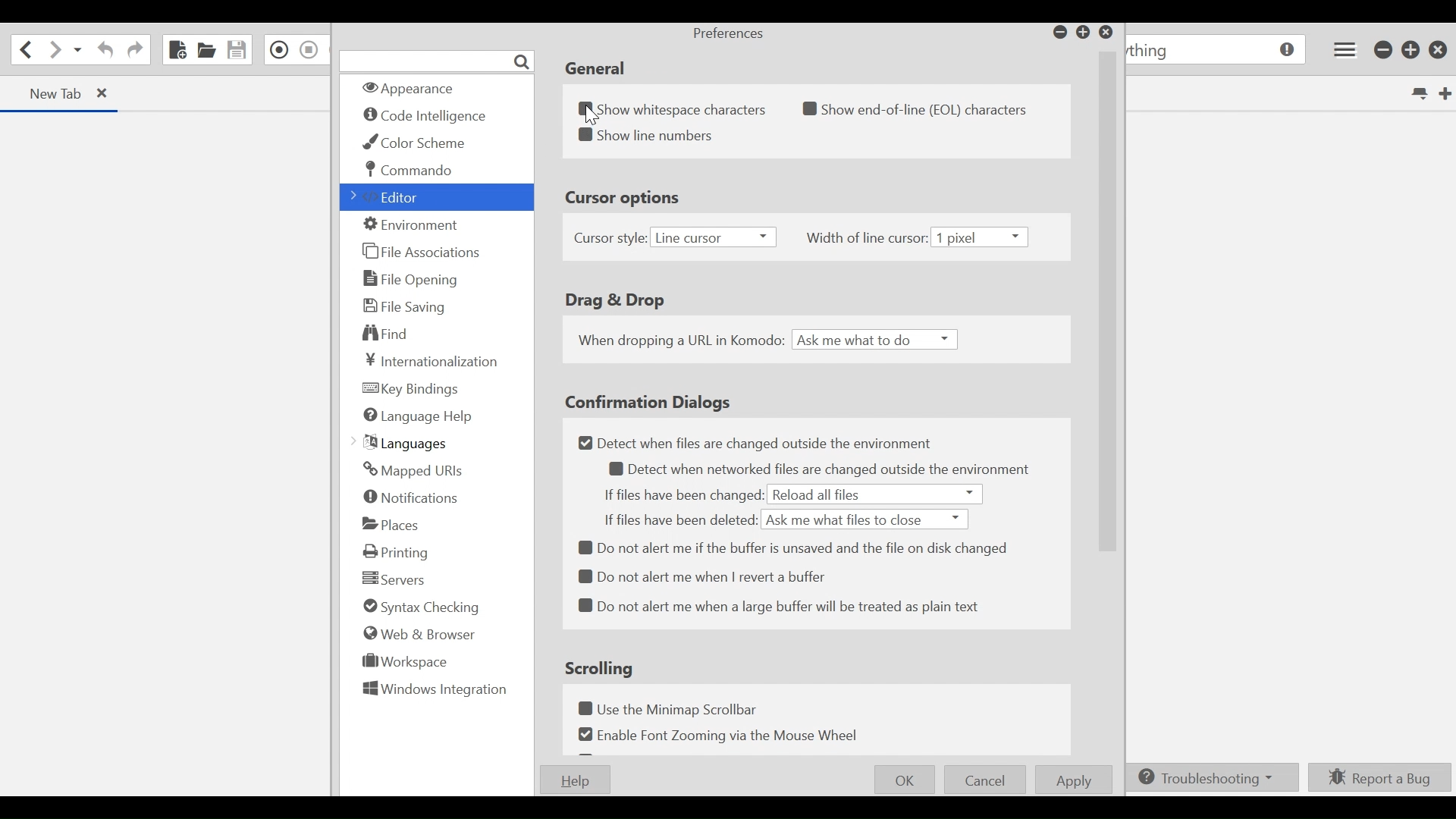 Image resolution: width=1456 pixels, height=819 pixels. What do you see at coordinates (629, 196) in the screenshot?
I see `Cursor options` at bounding box center [629, 196].